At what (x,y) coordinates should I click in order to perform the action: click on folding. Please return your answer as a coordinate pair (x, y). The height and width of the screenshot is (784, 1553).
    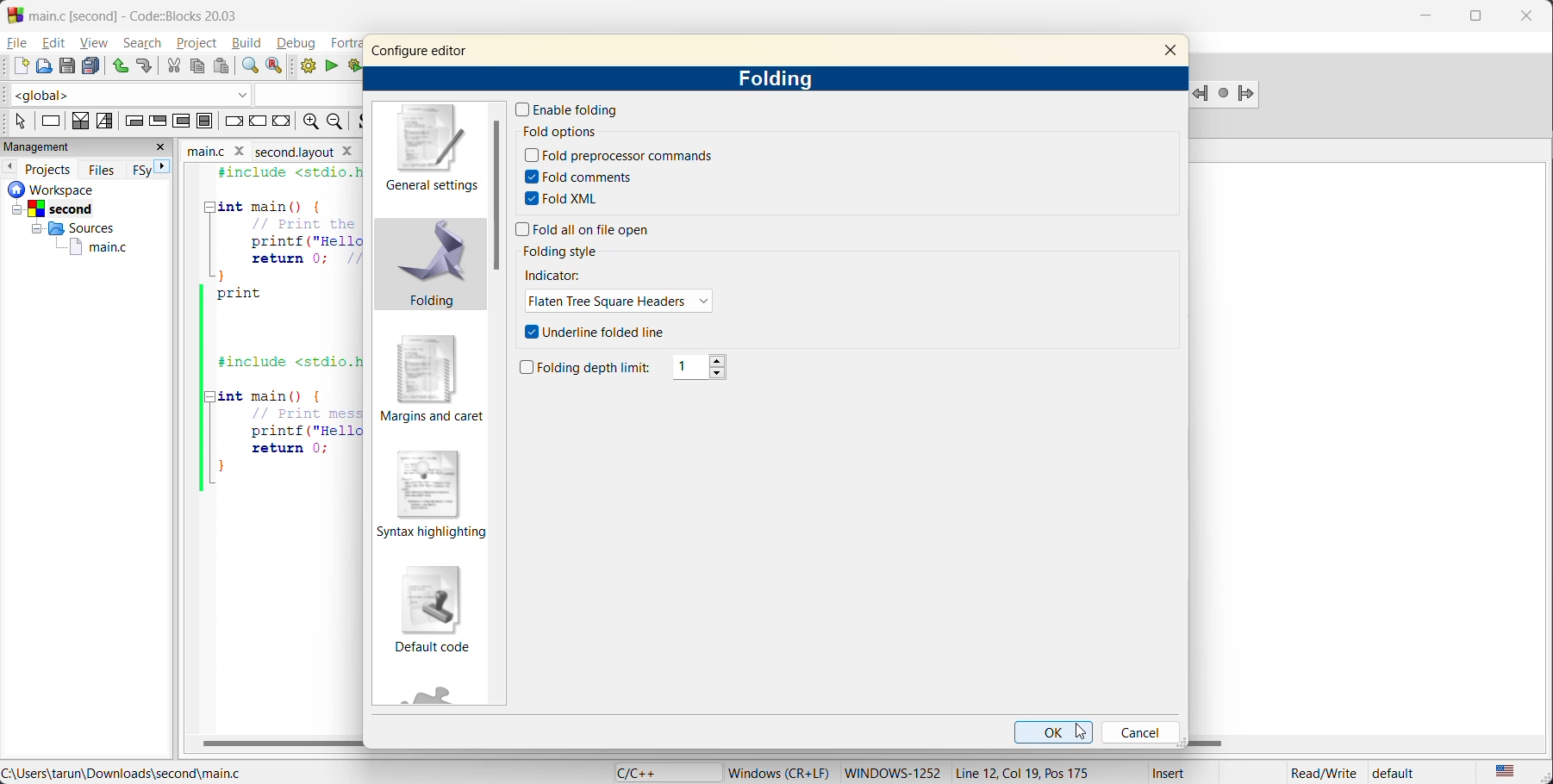
    Looking at the image, I should click on (427, 265).